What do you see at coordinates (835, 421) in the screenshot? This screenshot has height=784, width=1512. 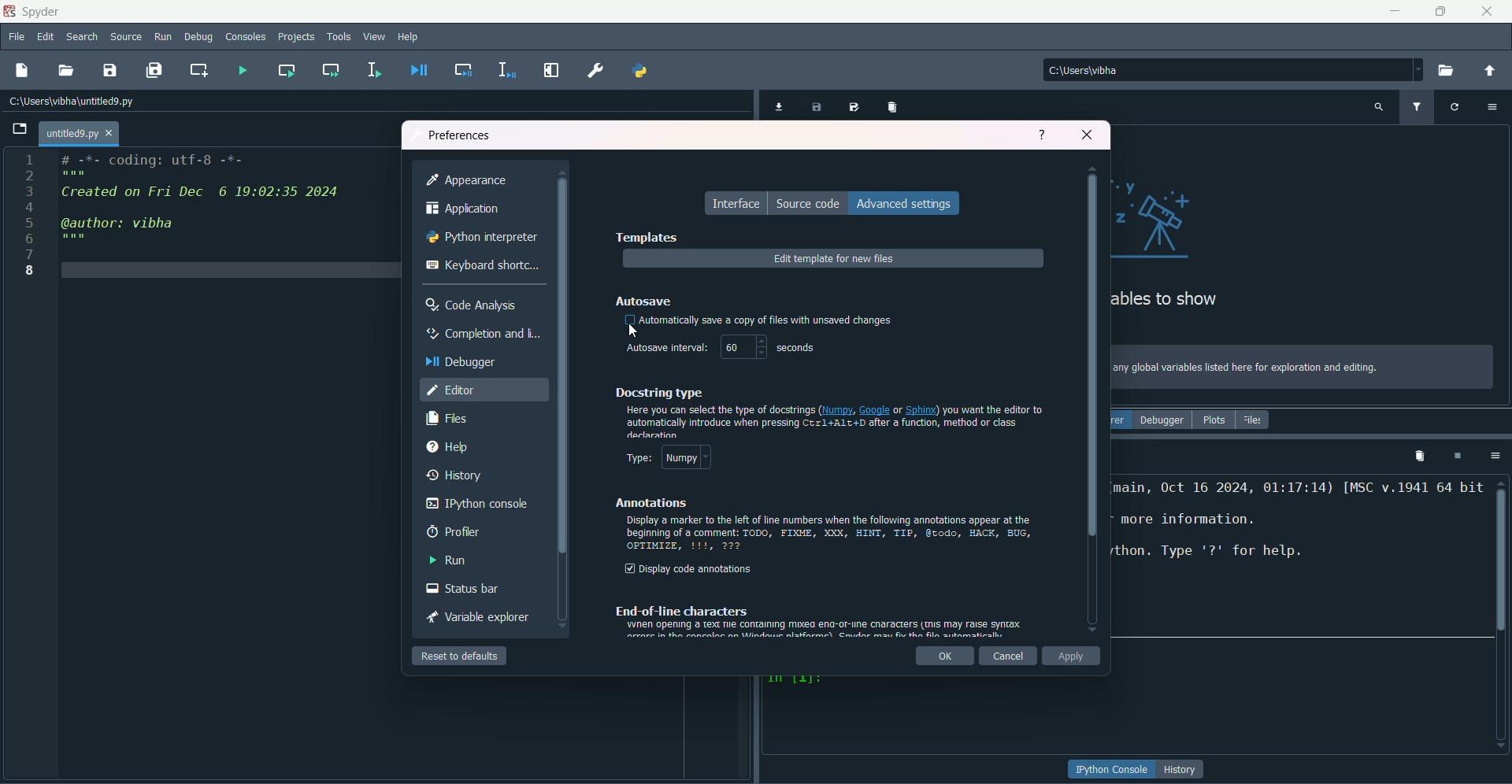 I see `text` at bounding box center [835, 421].